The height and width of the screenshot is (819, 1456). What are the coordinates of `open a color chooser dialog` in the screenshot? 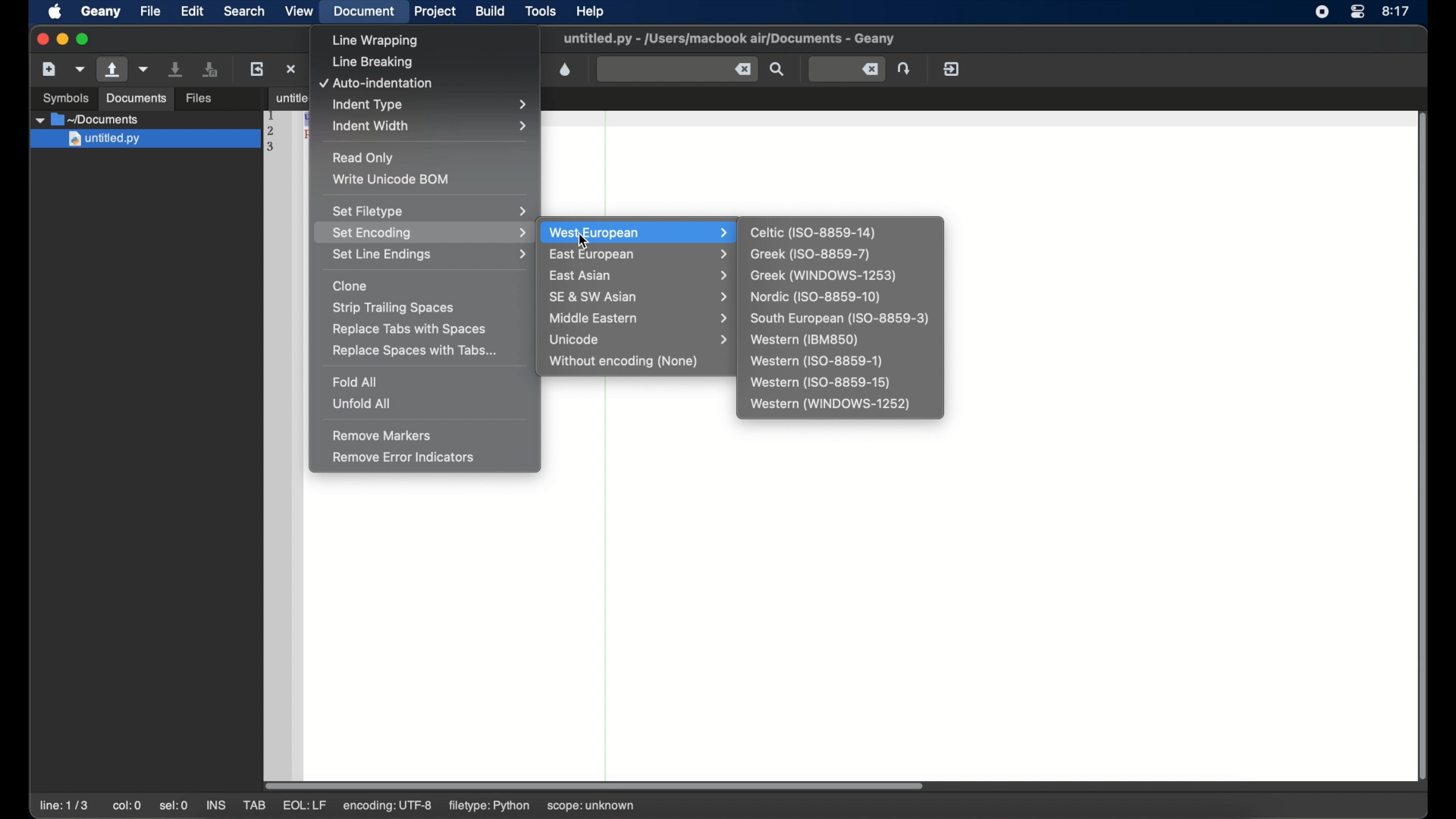 It's located at (566, 70).